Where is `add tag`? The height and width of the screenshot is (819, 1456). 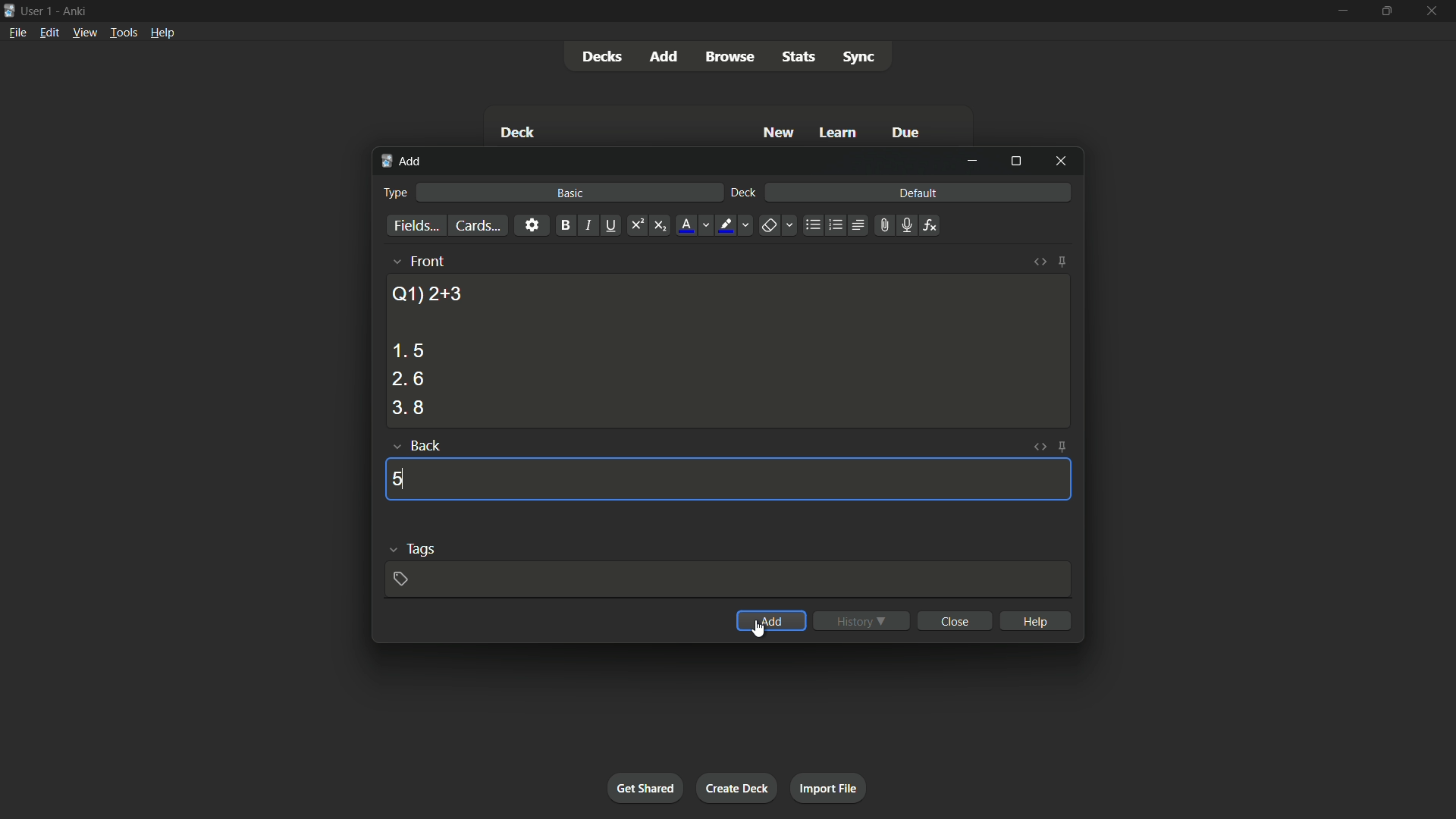
add tag is located at coordinates (400, 579).